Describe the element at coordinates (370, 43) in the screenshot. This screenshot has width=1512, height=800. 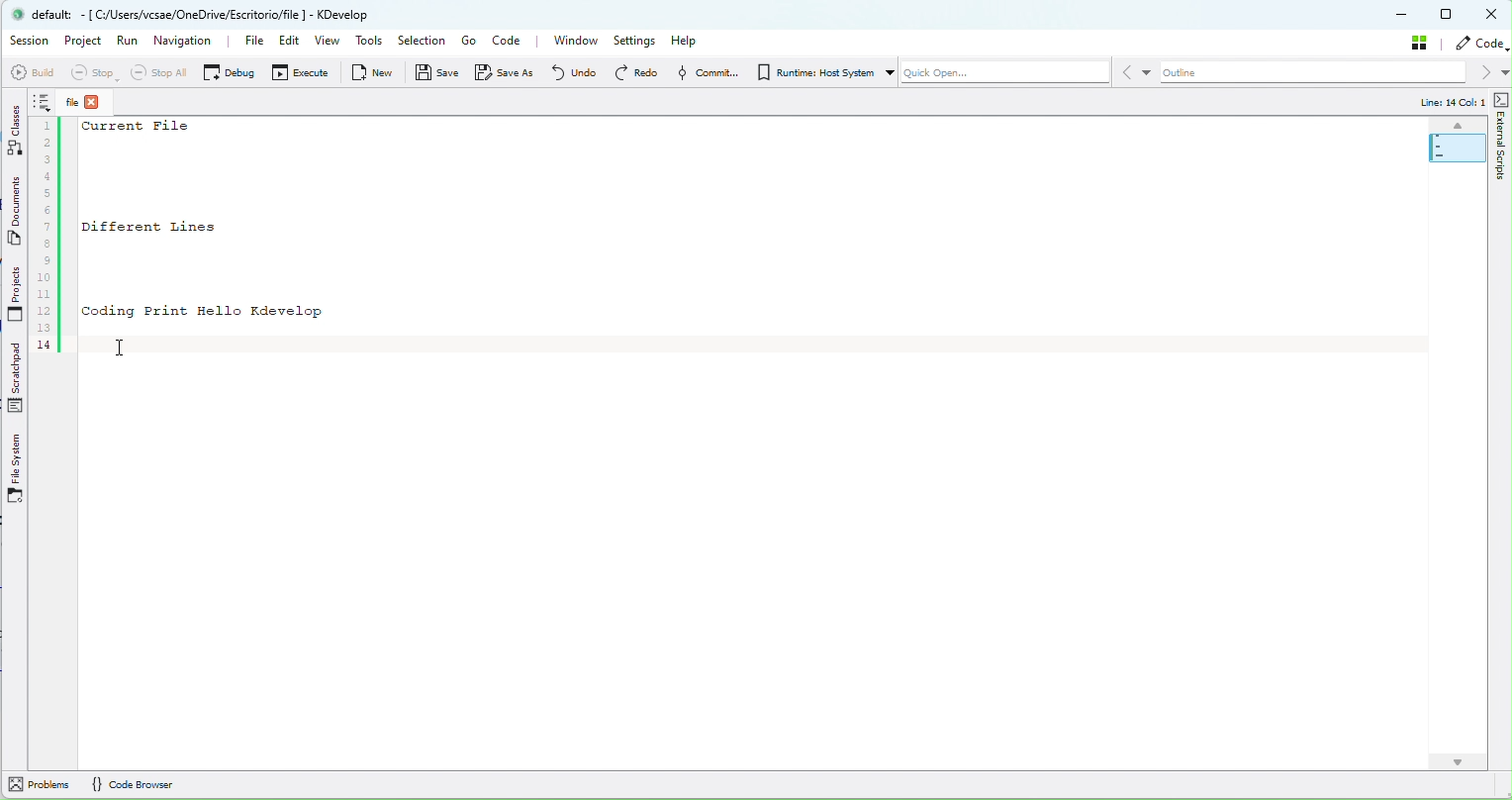
I see `tools` at that location.